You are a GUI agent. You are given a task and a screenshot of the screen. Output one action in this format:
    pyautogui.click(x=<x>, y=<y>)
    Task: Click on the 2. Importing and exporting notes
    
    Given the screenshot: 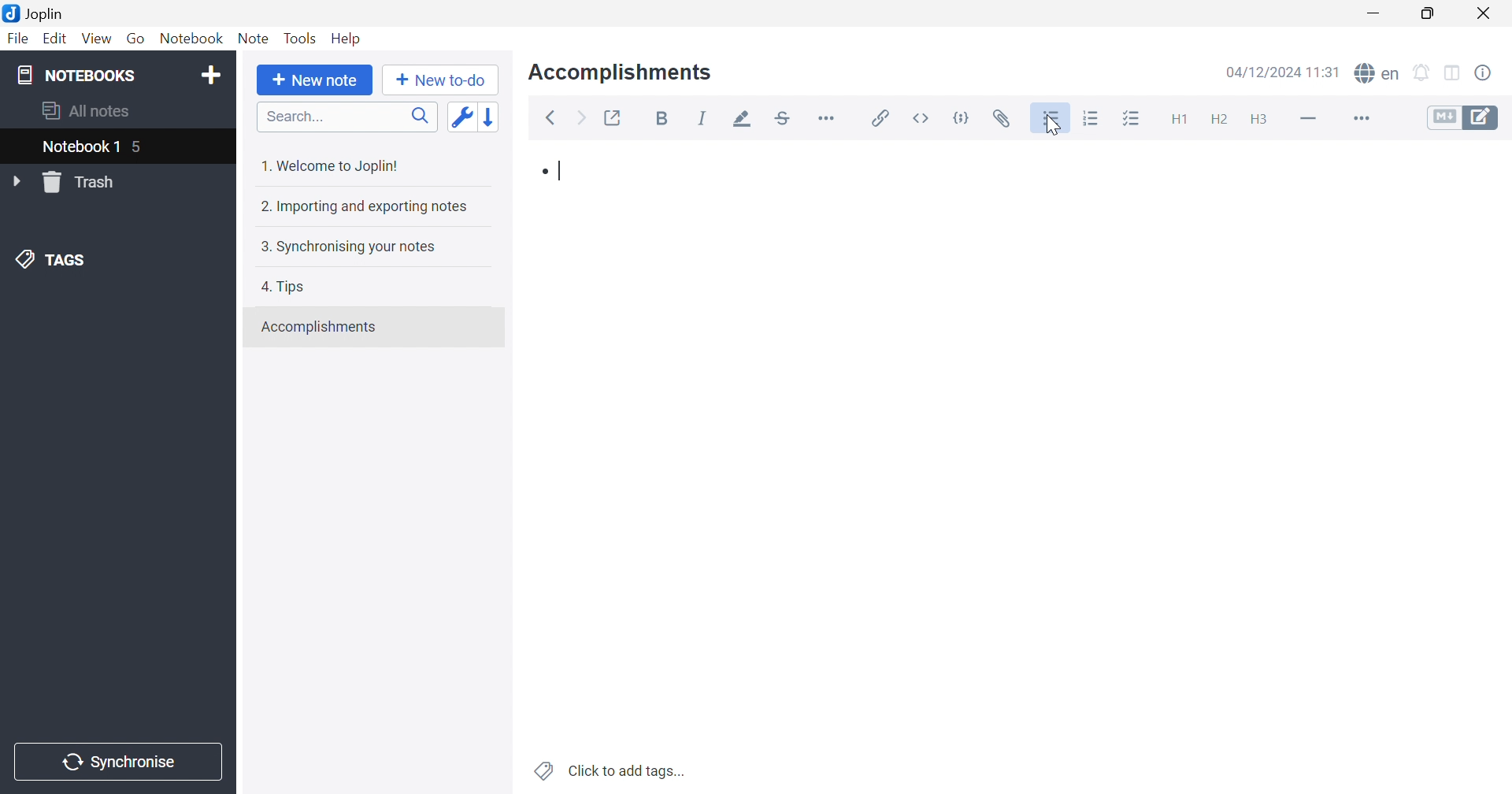 What is the action you would take?
    pyautogui.click(x=365, y=208)
    